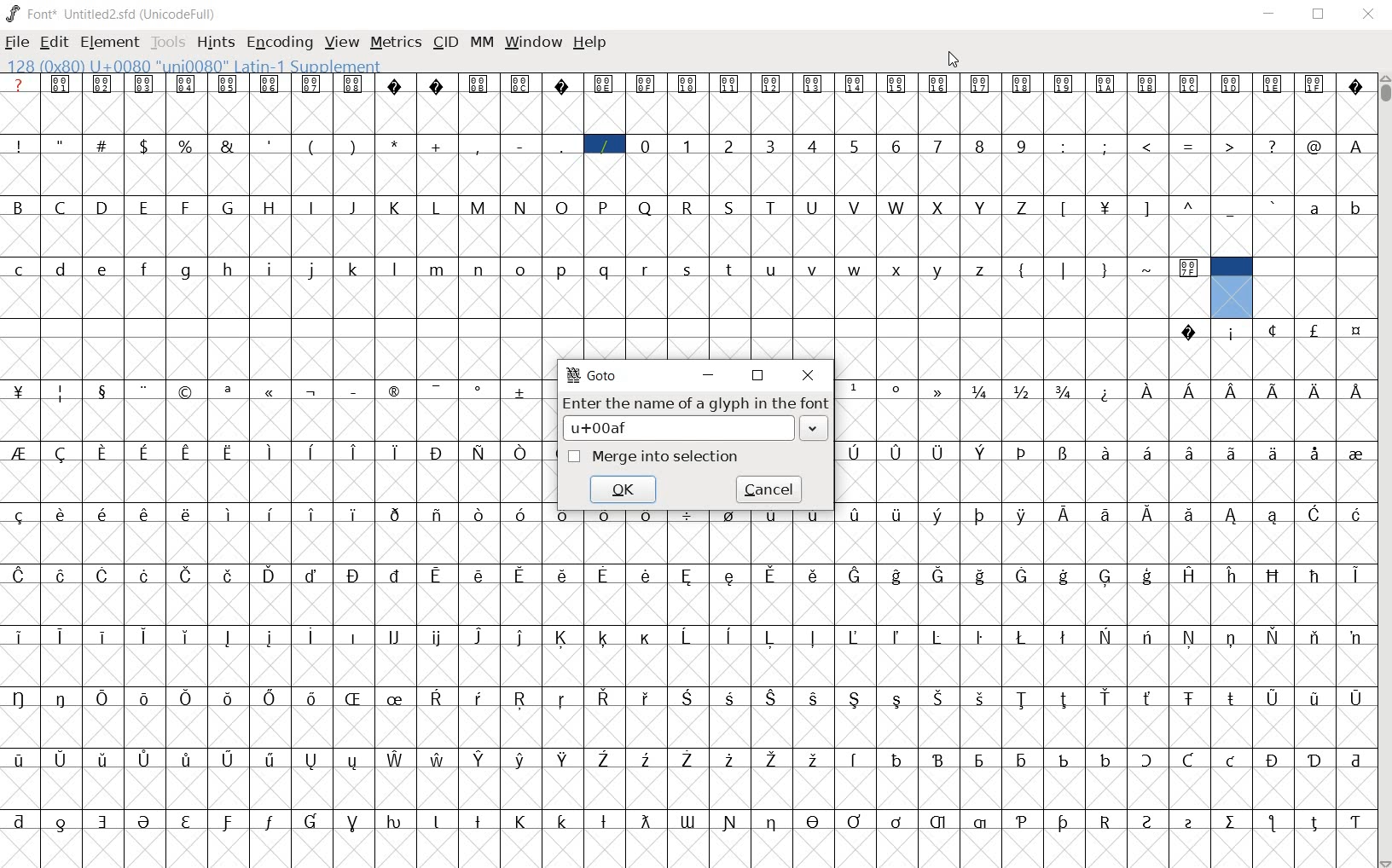 The height and width of the screenshot is (868, 1392). Describe the element at coordinates (678, 460) in the screenshot. I see `Merge into selection` at that location.